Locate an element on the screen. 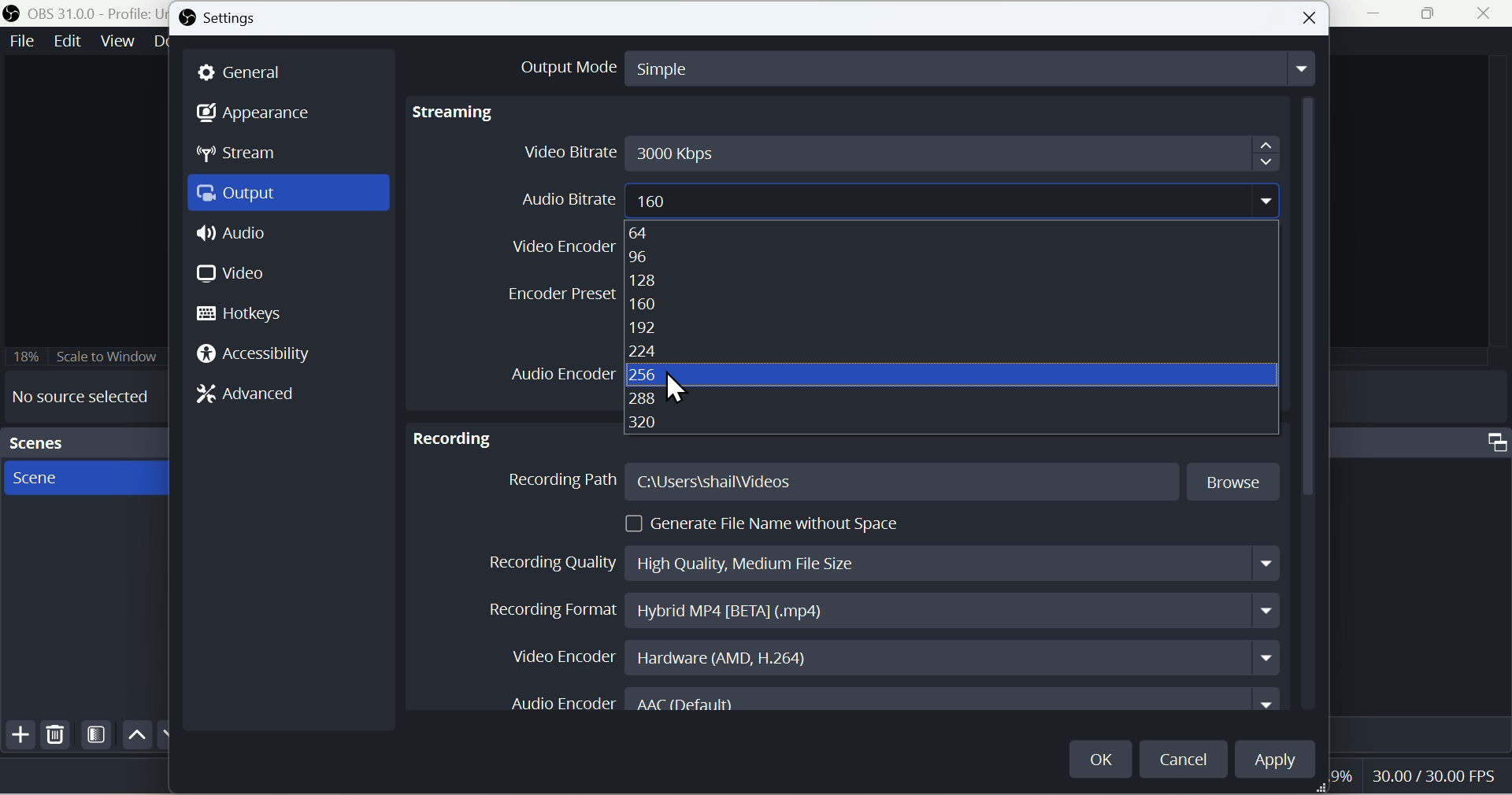 The height and width of the screenshot is (795, 1512). File is located at coordinates (20, 42).